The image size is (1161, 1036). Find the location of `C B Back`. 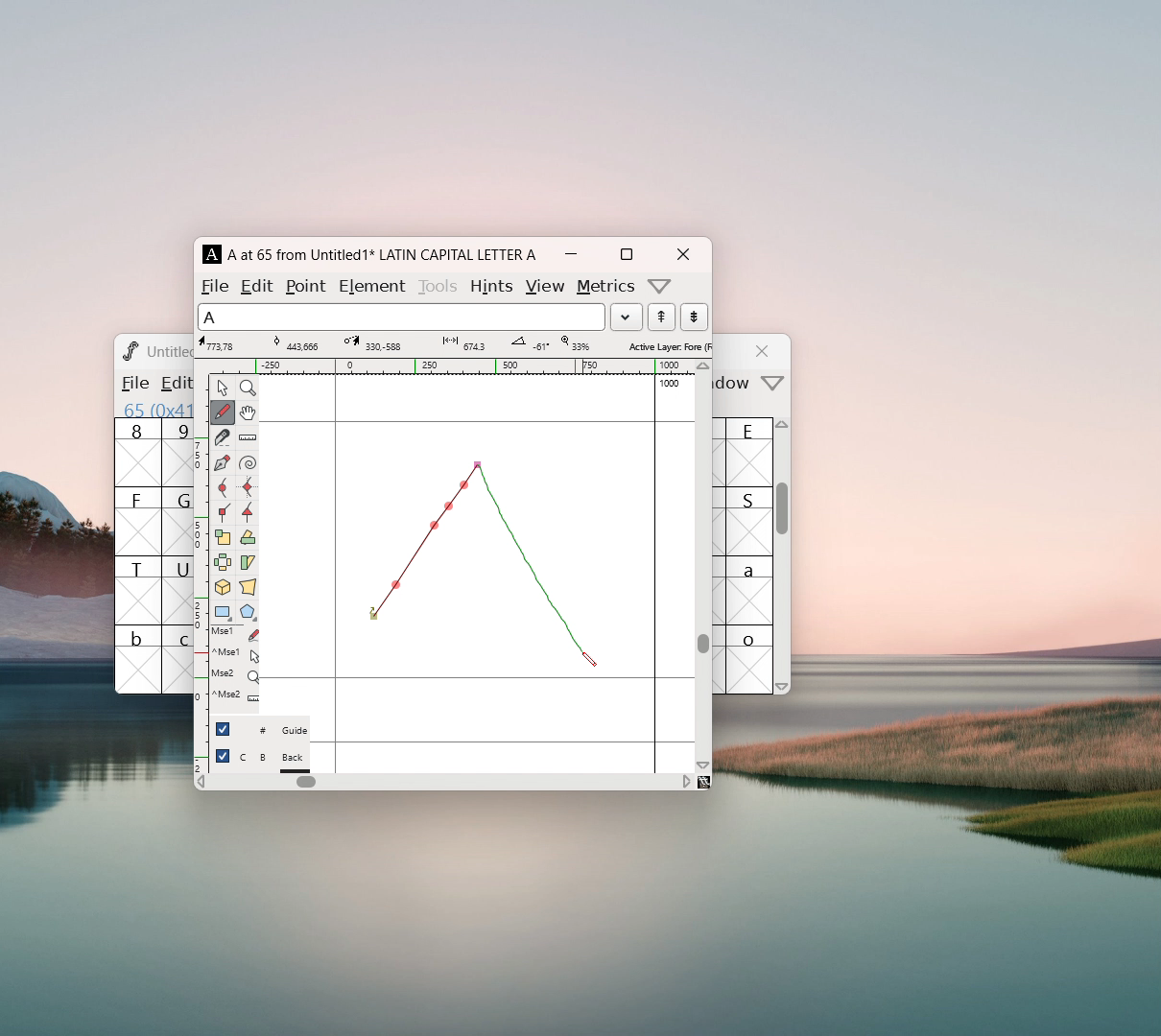

C B Back is located at coordinates (273, 760).